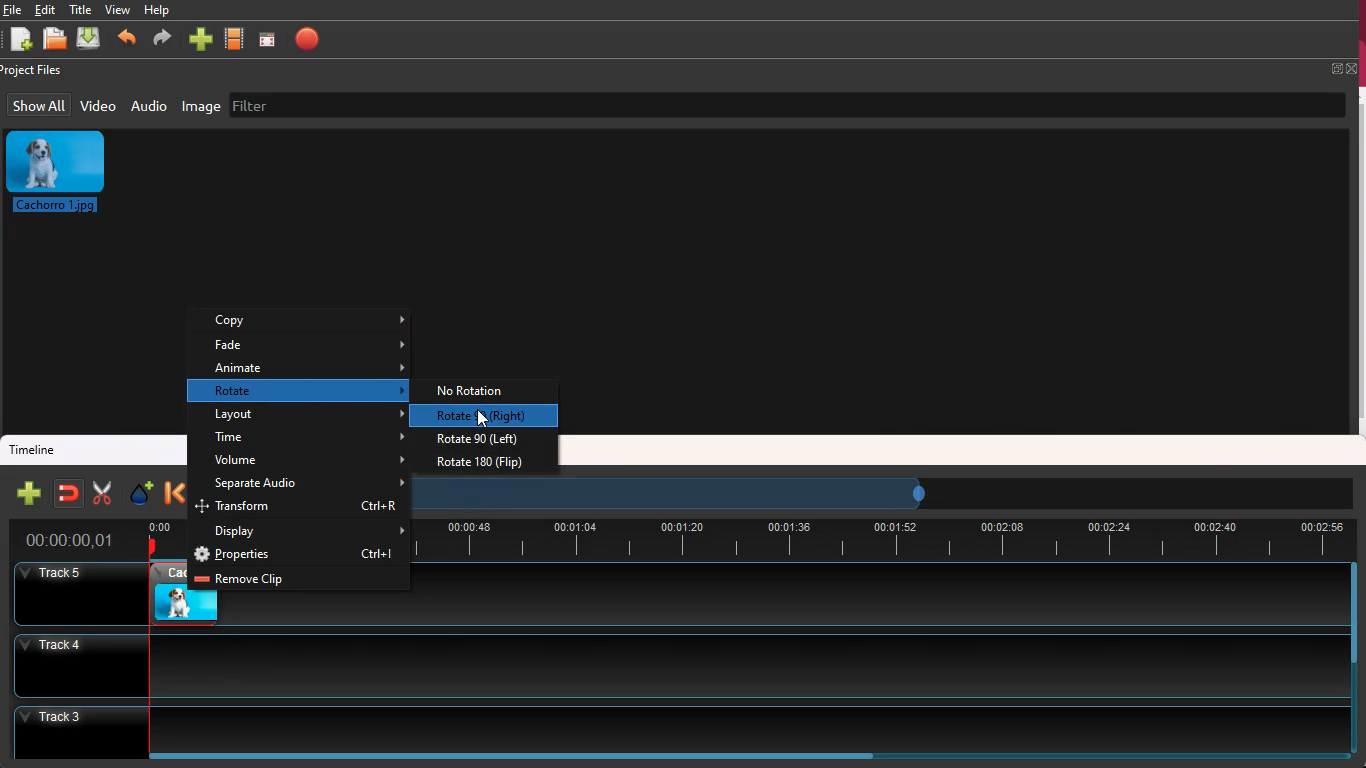  Describe the element at coordinates (174, 493) in the screenshot. I see `backward` at that location.